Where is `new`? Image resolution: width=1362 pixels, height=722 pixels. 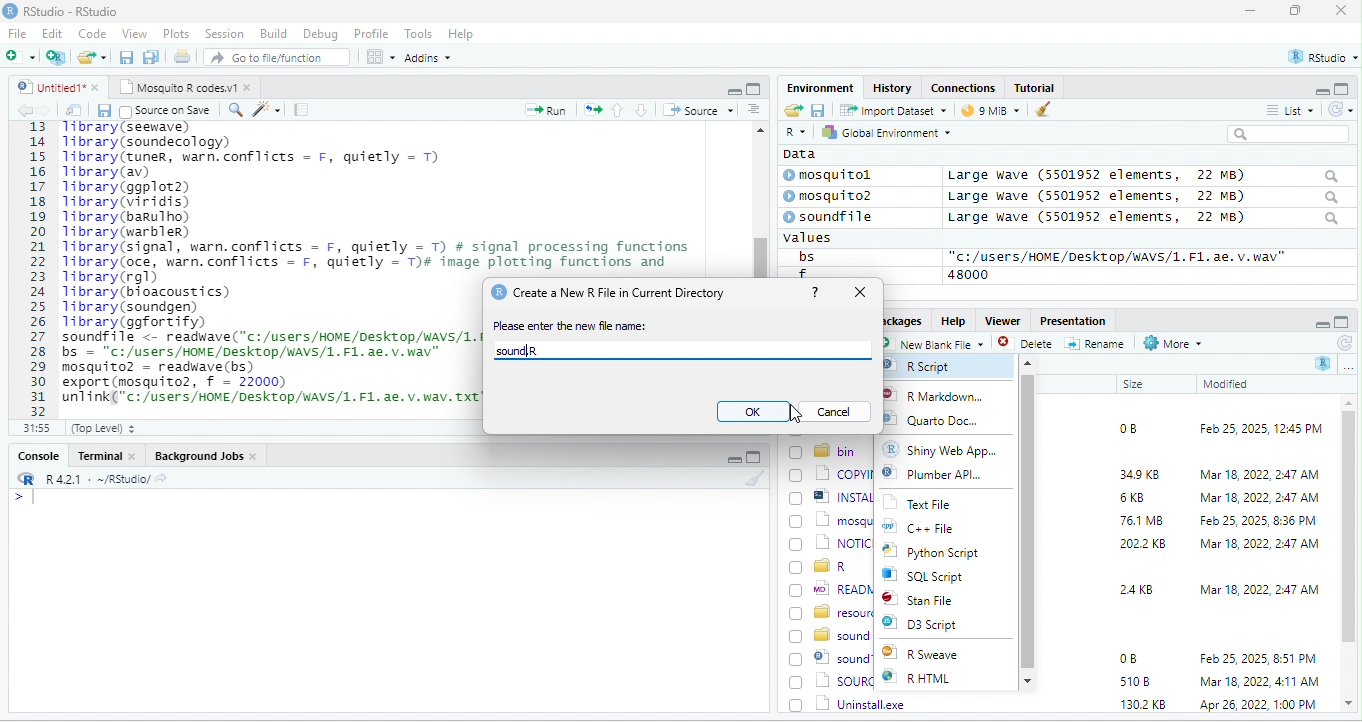
new is located at coordinates (20, 55).